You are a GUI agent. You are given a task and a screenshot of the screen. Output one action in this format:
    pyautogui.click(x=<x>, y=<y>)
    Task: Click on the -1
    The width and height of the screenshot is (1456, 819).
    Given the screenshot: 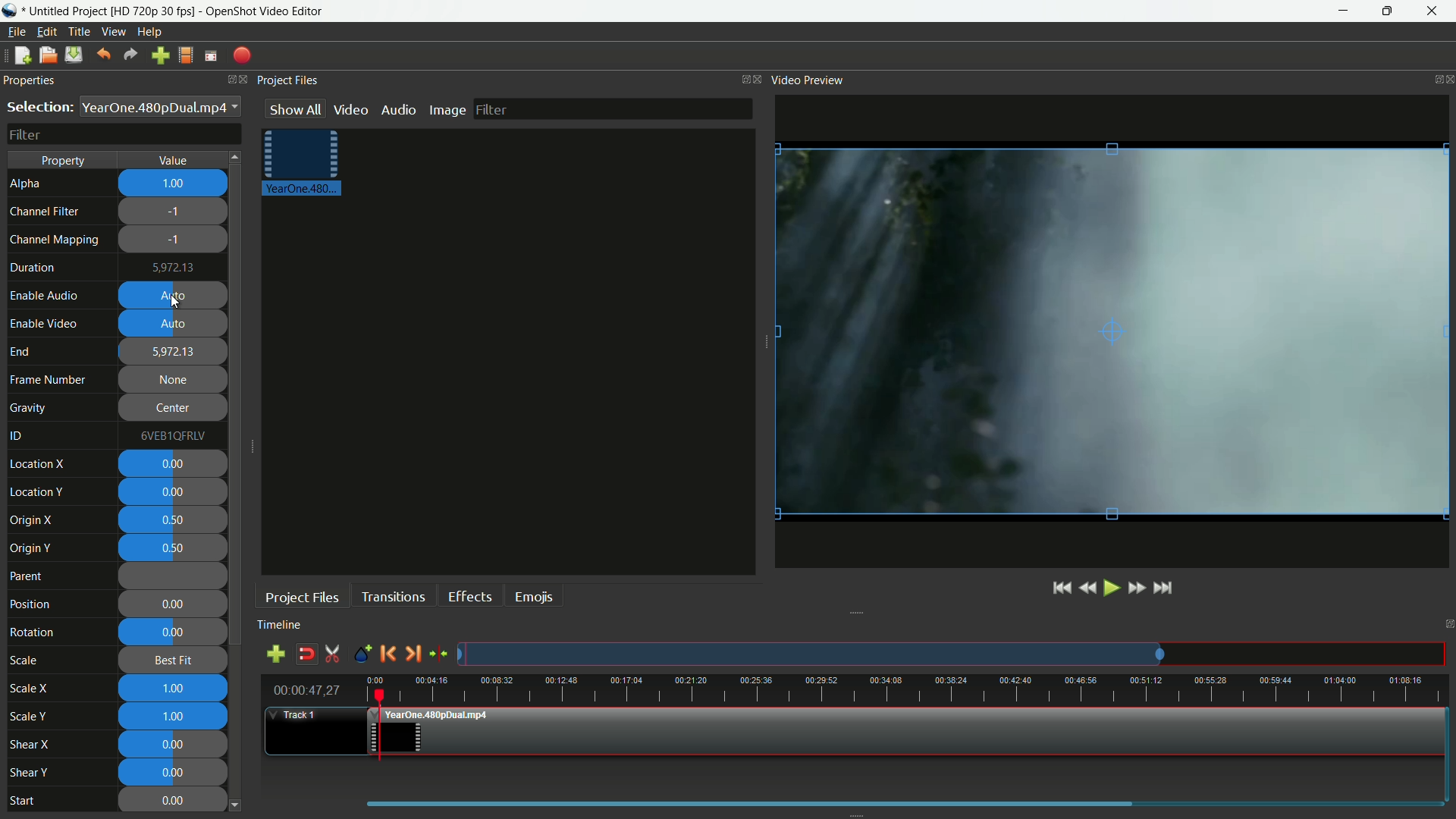 What is the action you would take?
    pyautogui.click(x=176, y=213)
    